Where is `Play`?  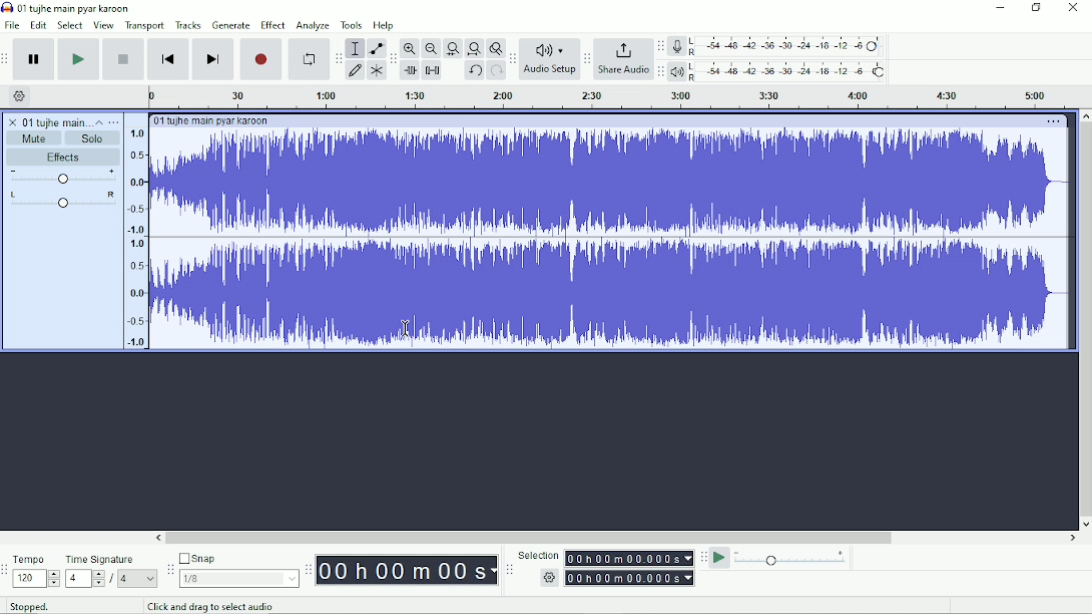 Play is located at coordinates (79, 59).